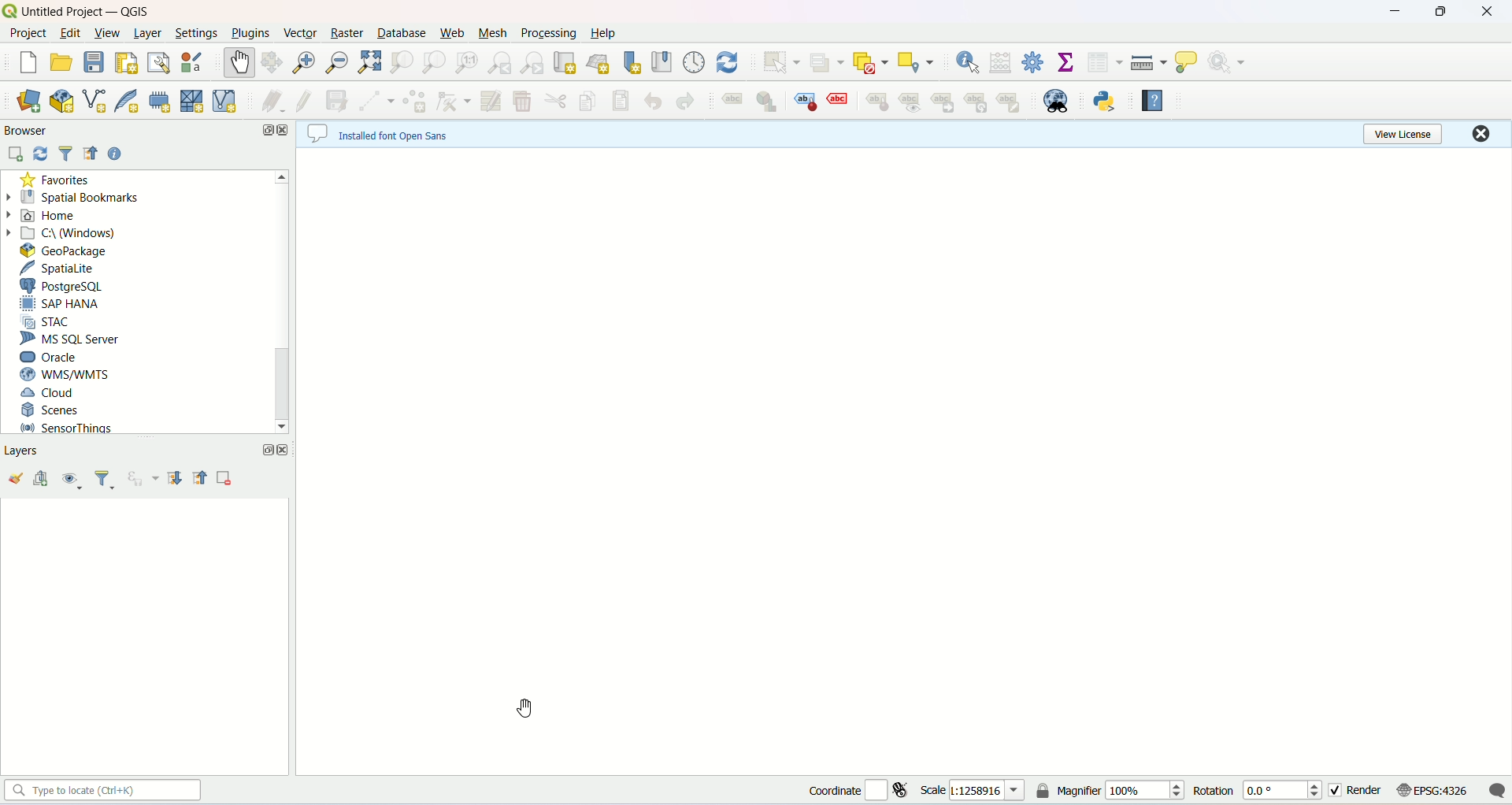  I want to click on layers, so click(34, 450).